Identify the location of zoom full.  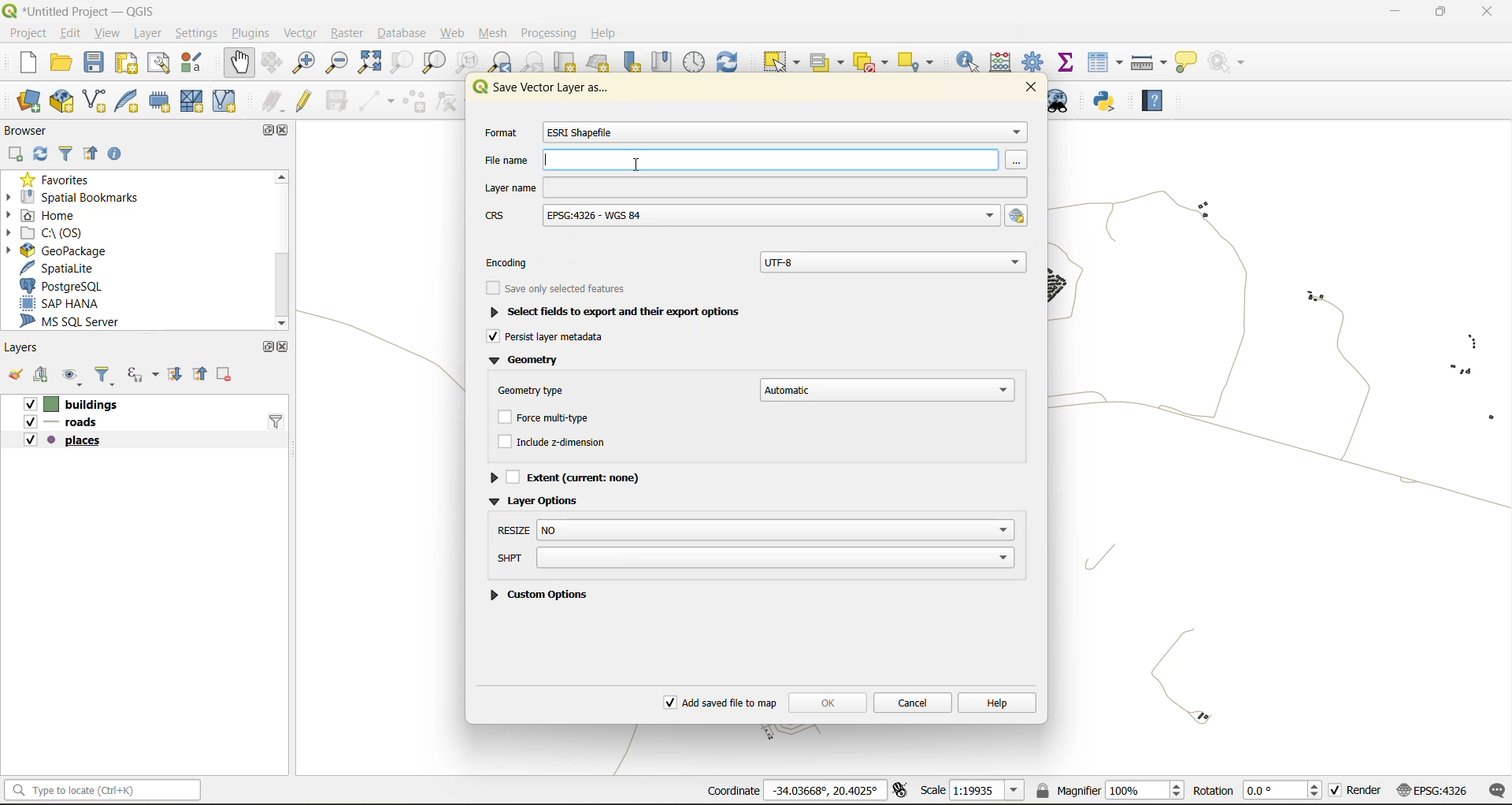
(369, 63).